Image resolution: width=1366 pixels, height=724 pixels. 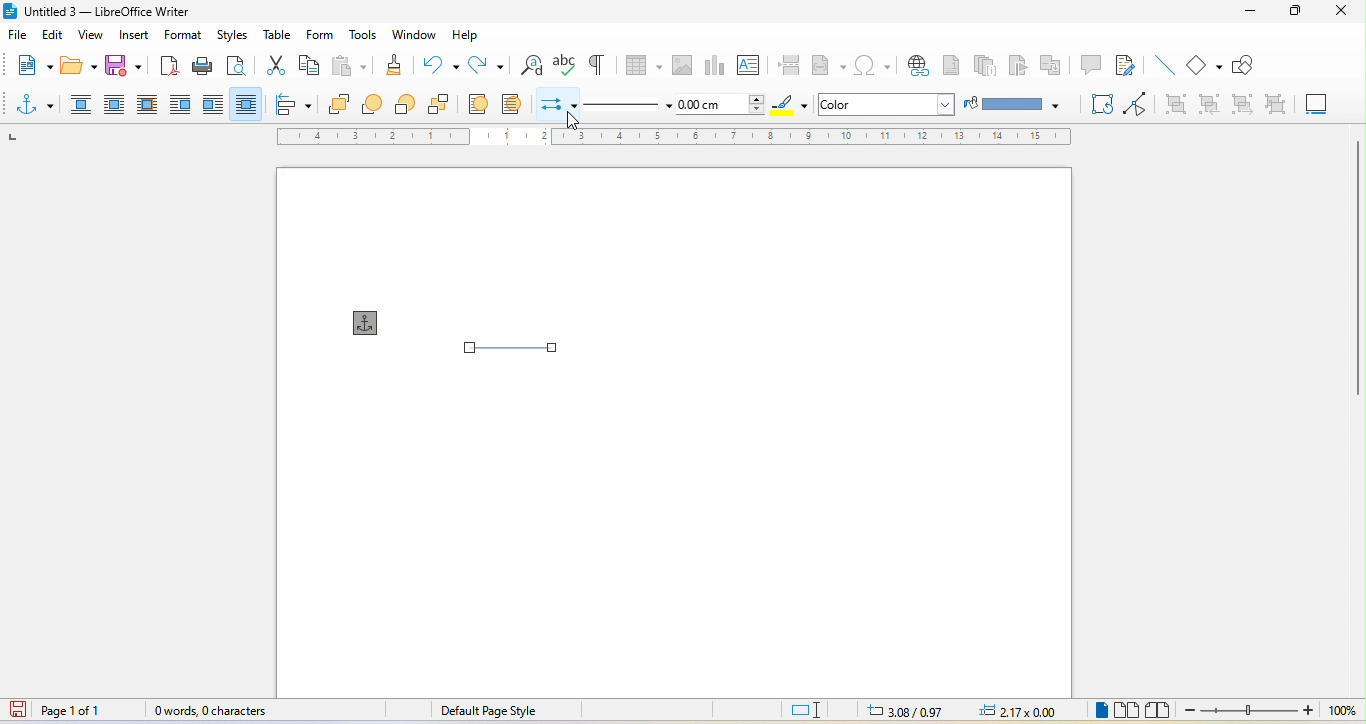 I want to click on line thickness, so click(x=721, y=103).